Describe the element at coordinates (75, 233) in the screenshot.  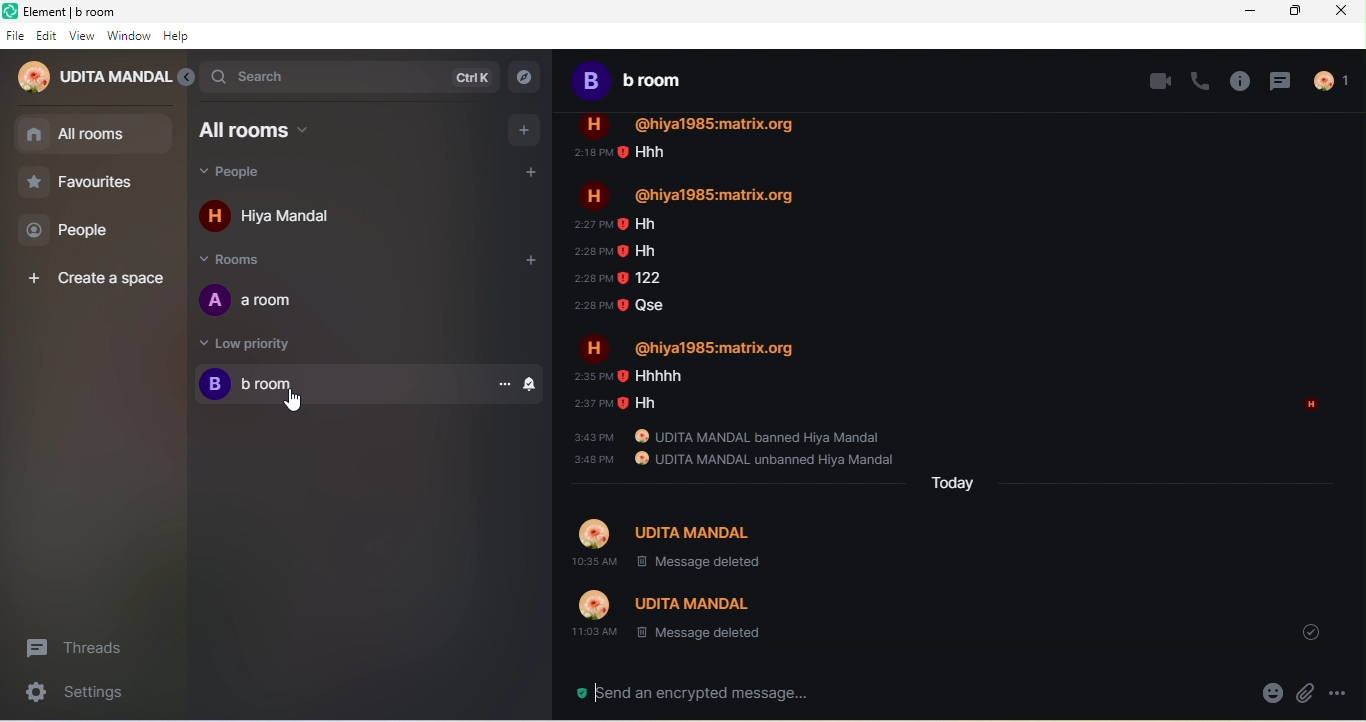
I see `people` at that location.